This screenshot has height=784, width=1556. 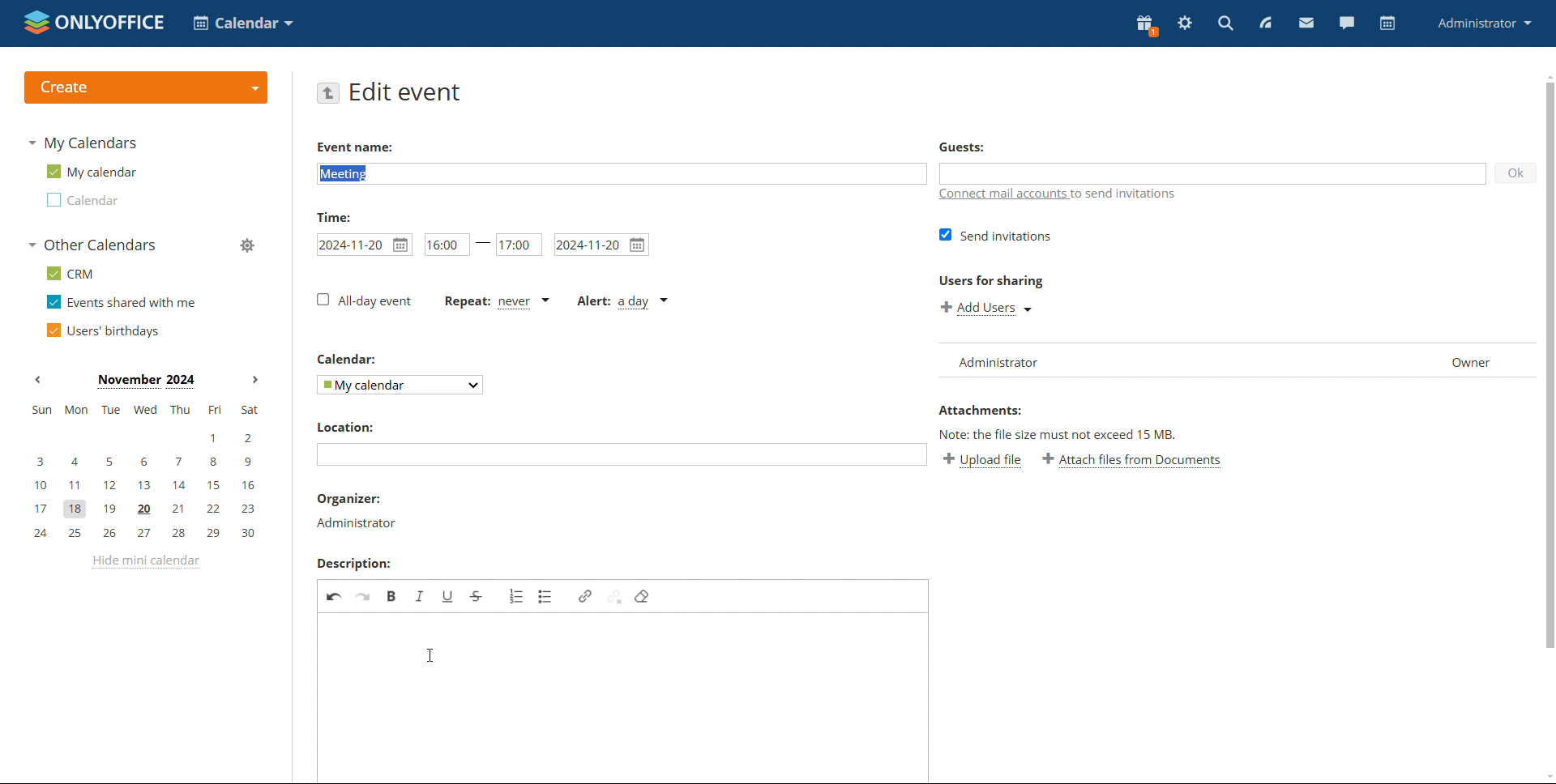 What do you see at coordinates (1148, 24) in the screenshot?
I see `present` at bounding box center [1148, 24].